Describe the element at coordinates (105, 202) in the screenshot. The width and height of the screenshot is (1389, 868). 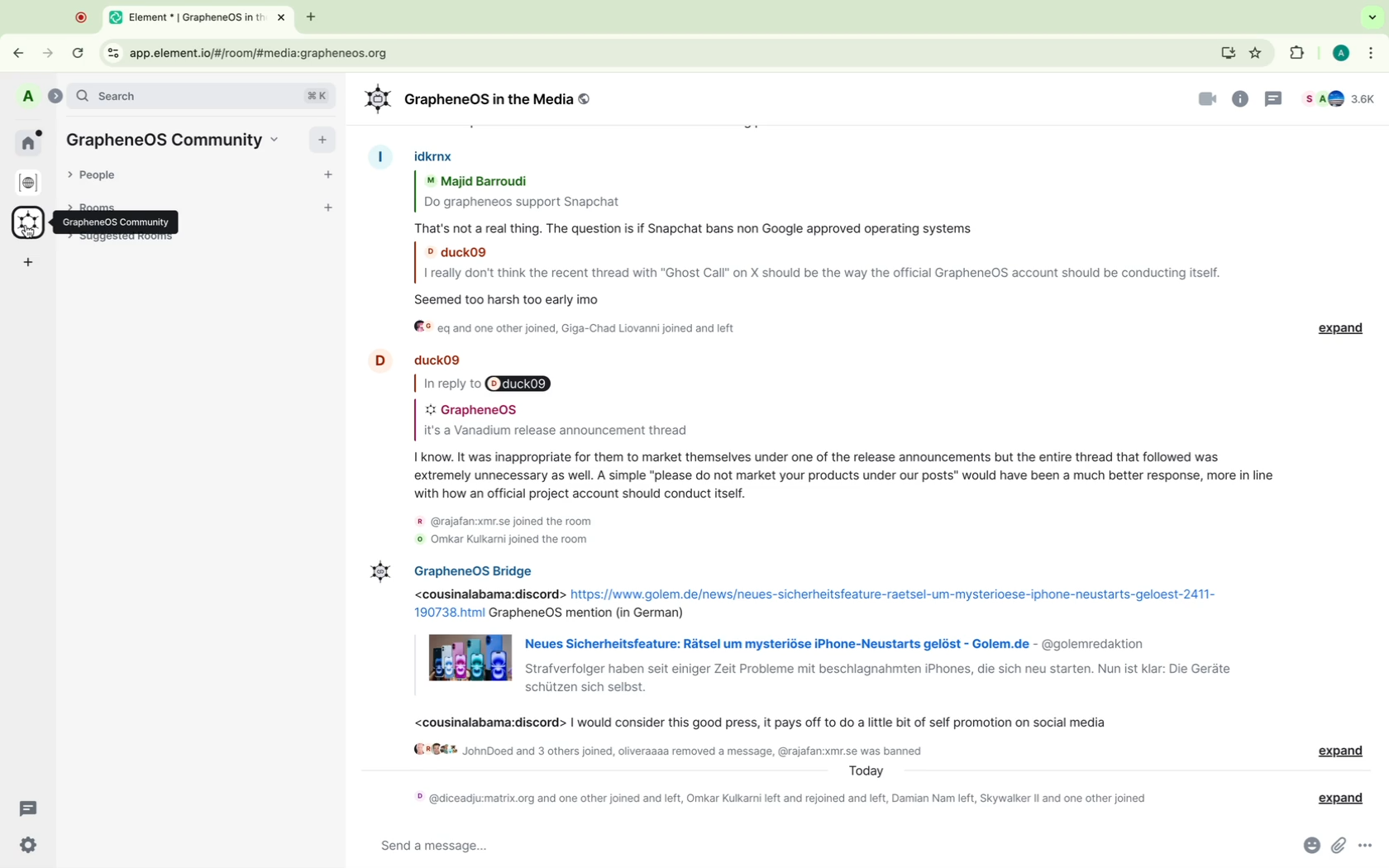
I see `rooms` at that location.